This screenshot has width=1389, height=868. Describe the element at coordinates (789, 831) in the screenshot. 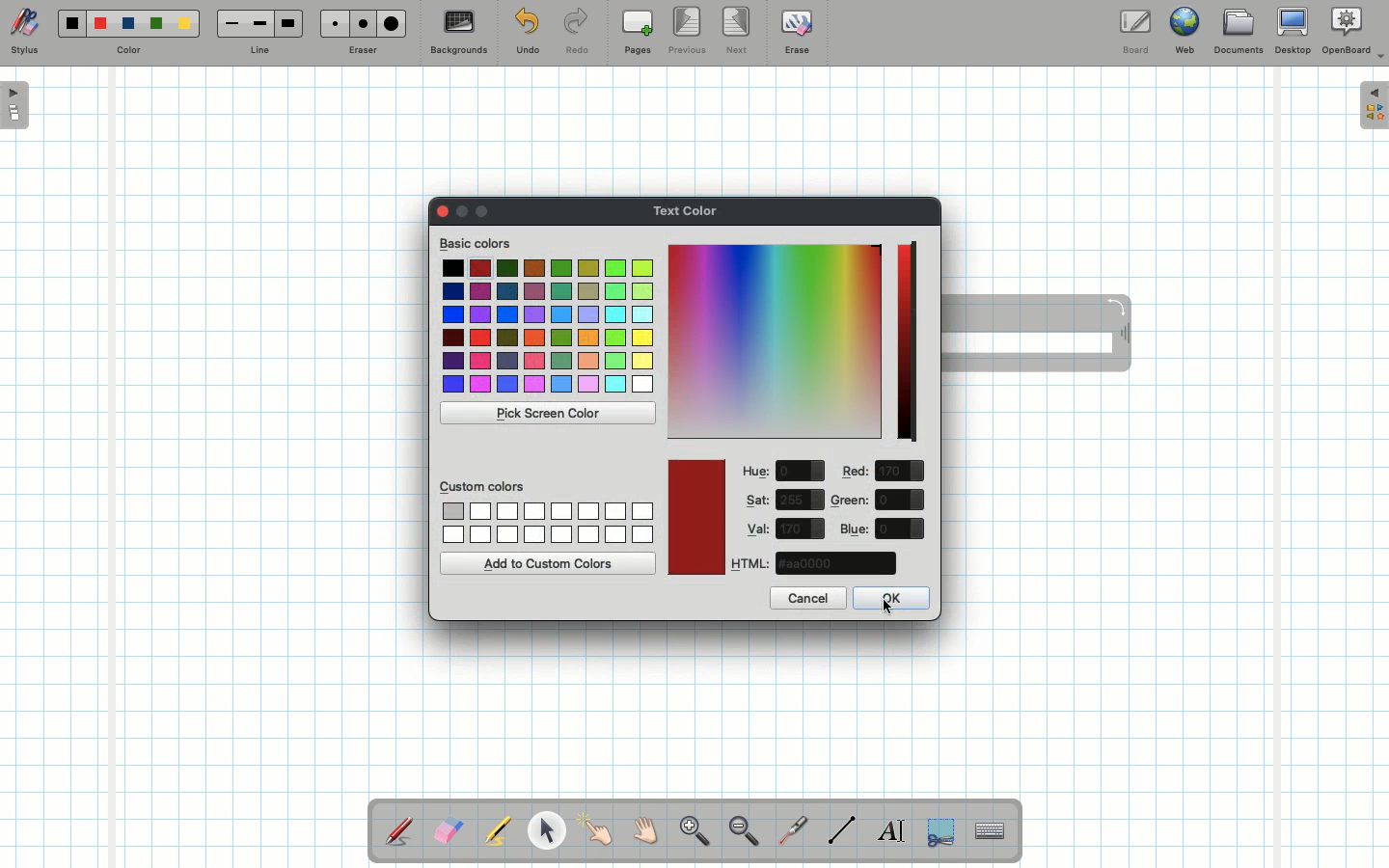

I see `Laser pointer` at that location.